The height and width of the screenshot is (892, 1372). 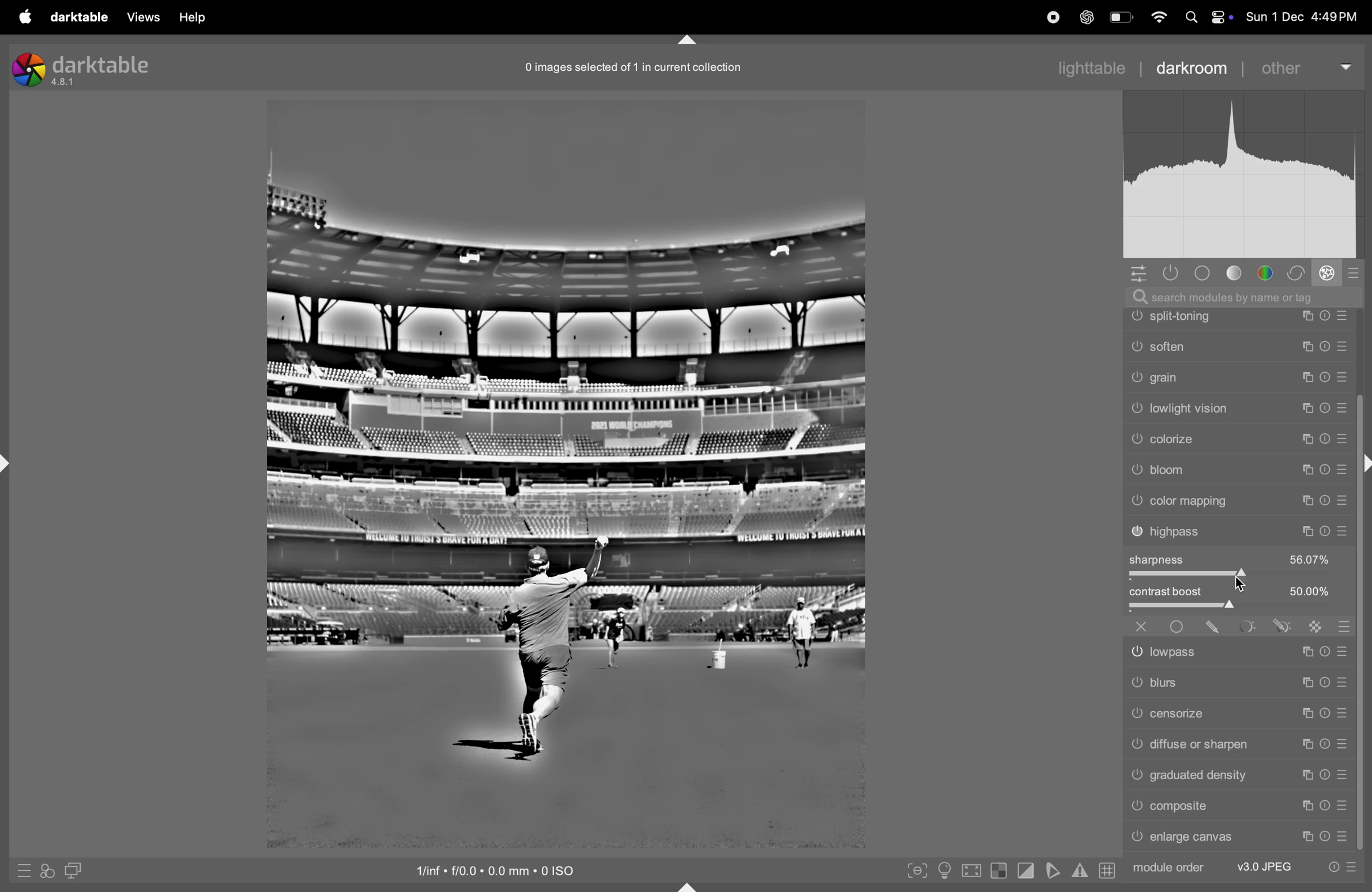 What do you see at coordinates (1239, 499) in the screenshot?
I see `light vision` at bounding box center [1239, 499].